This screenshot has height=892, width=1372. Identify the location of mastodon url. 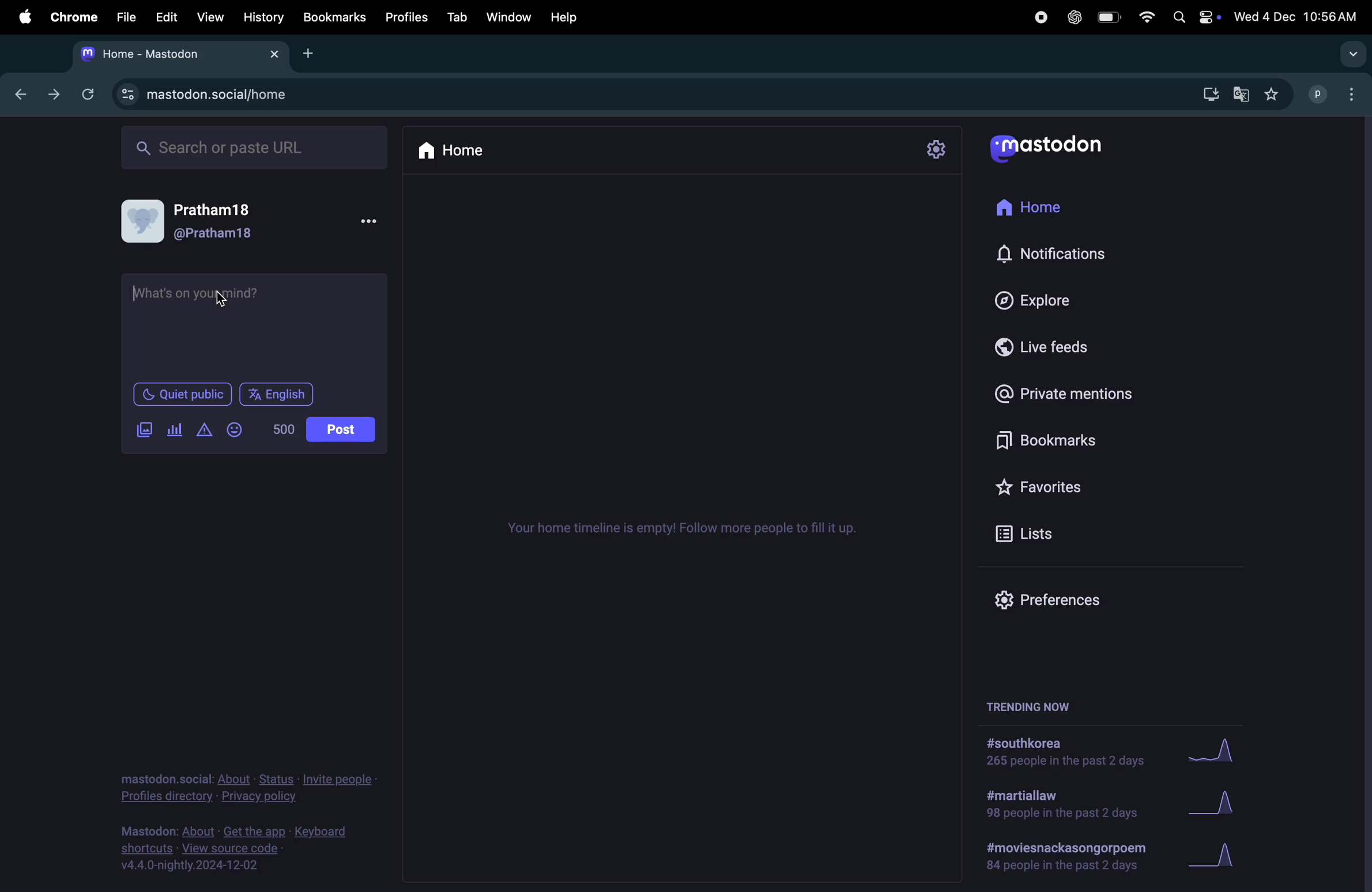
(216, 95).